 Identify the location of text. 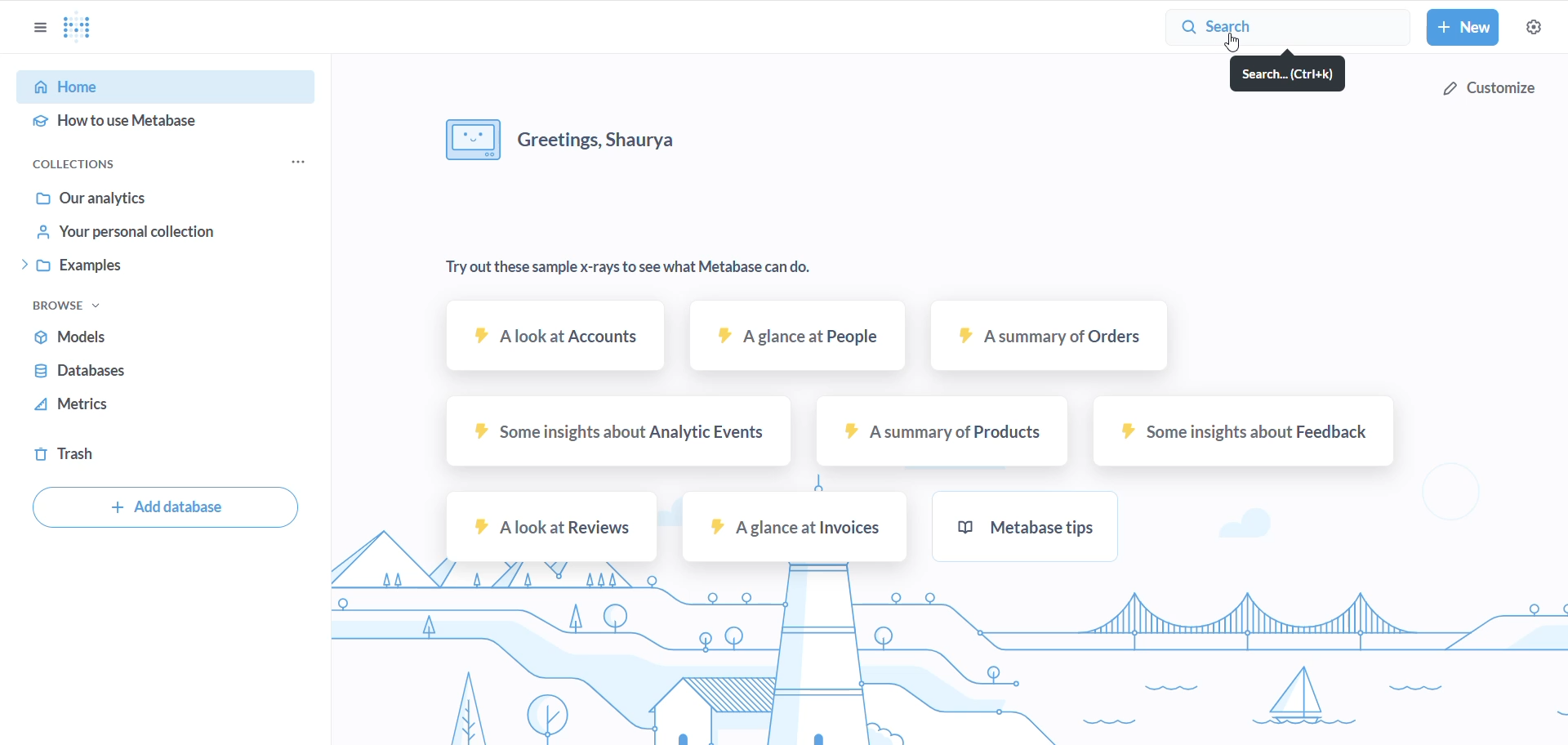
(646, 271).